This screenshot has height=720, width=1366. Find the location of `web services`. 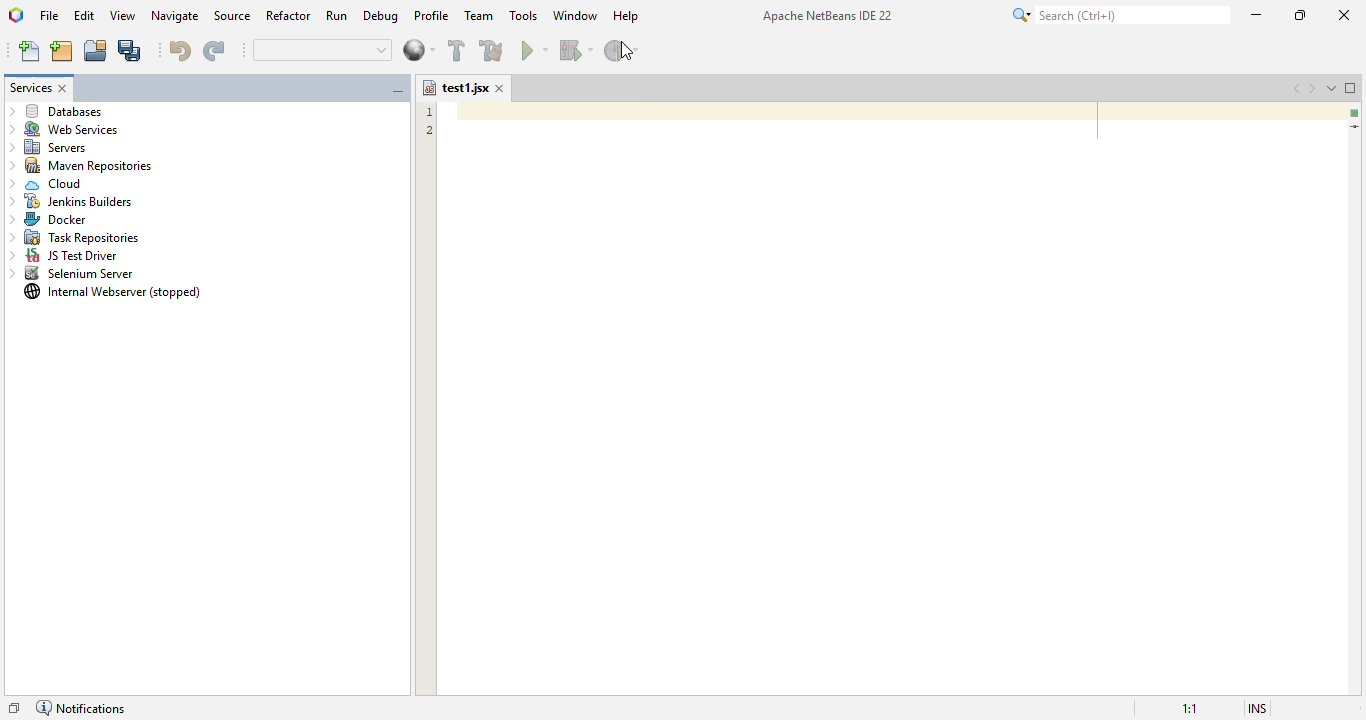

web services is located at coordinates (64, 129).